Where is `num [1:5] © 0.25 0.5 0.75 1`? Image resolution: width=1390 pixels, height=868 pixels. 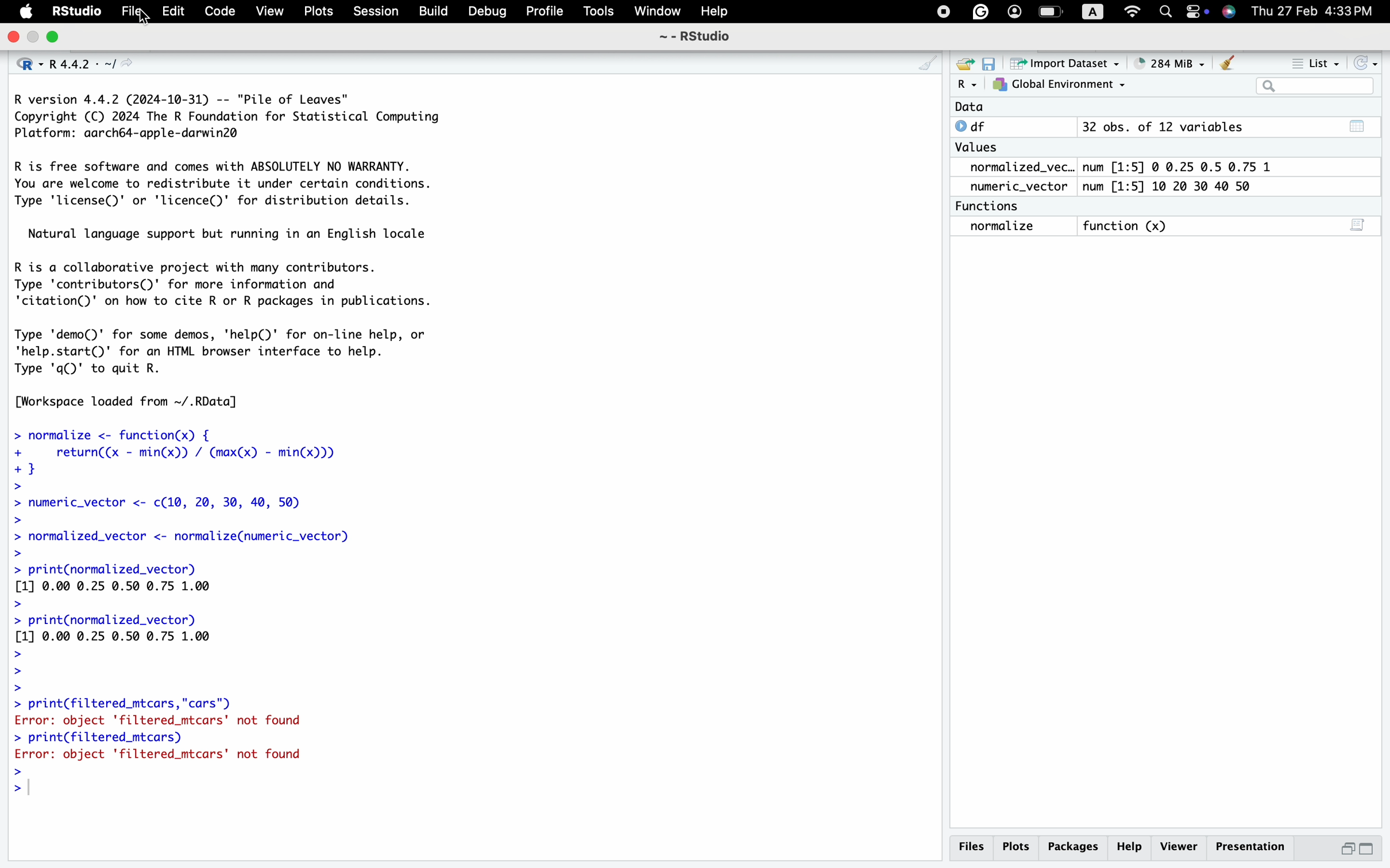
num [1:5] © 0.25 0.5 0.75 1 is located at coordinates (1185, 165).